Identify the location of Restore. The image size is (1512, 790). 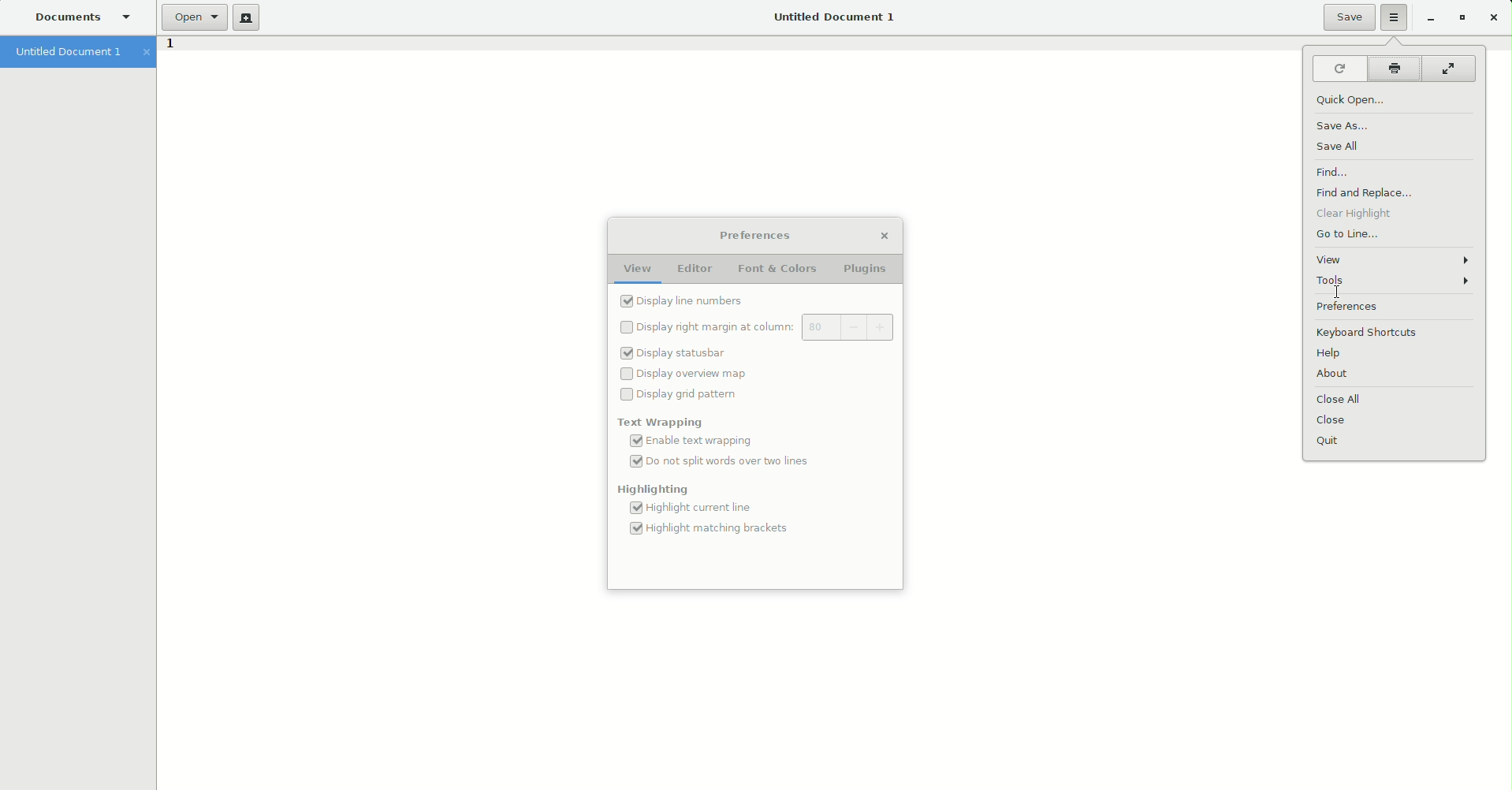
(1459, 18).